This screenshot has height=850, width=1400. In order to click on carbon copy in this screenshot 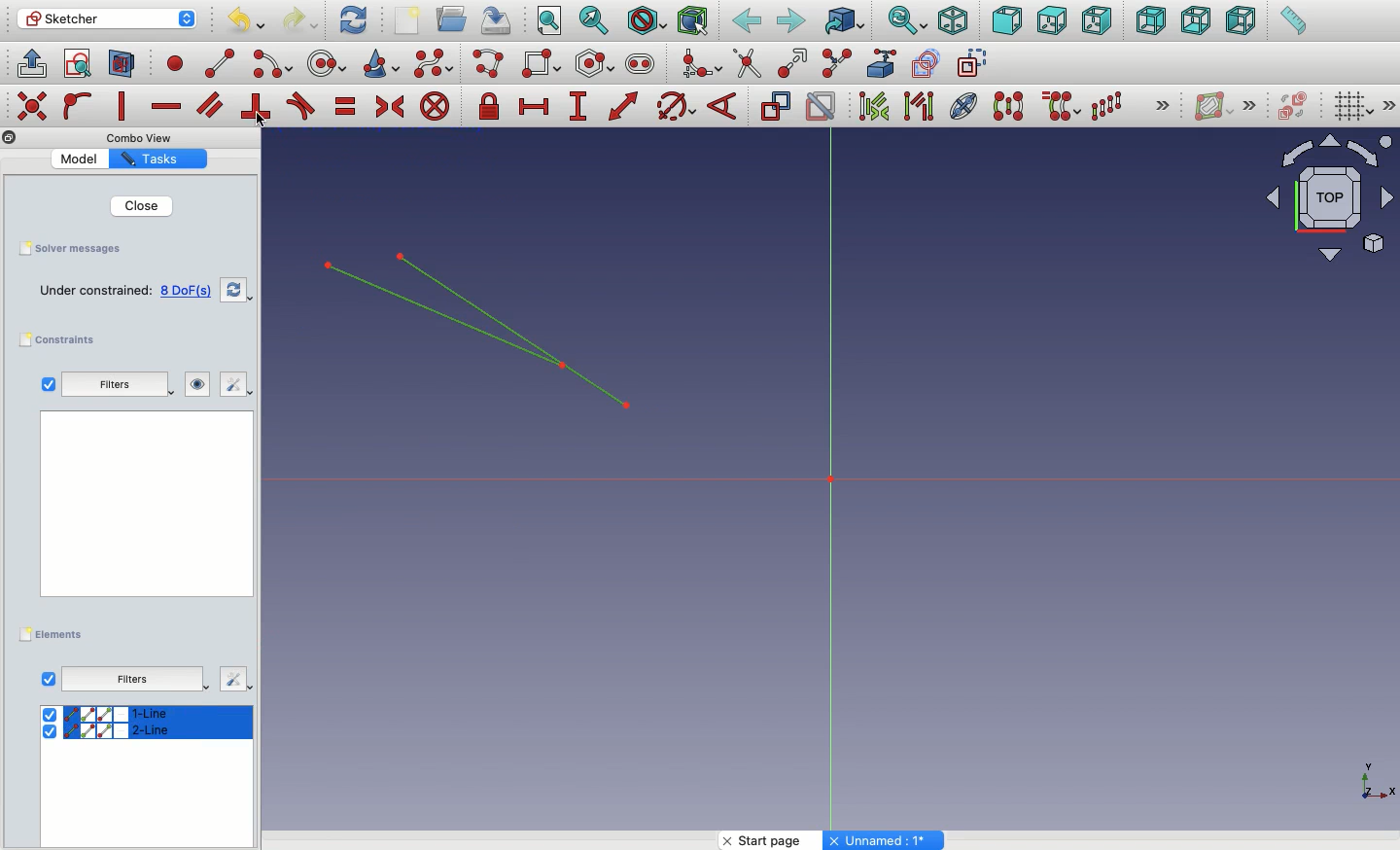, I will do `click(929, 64)`.